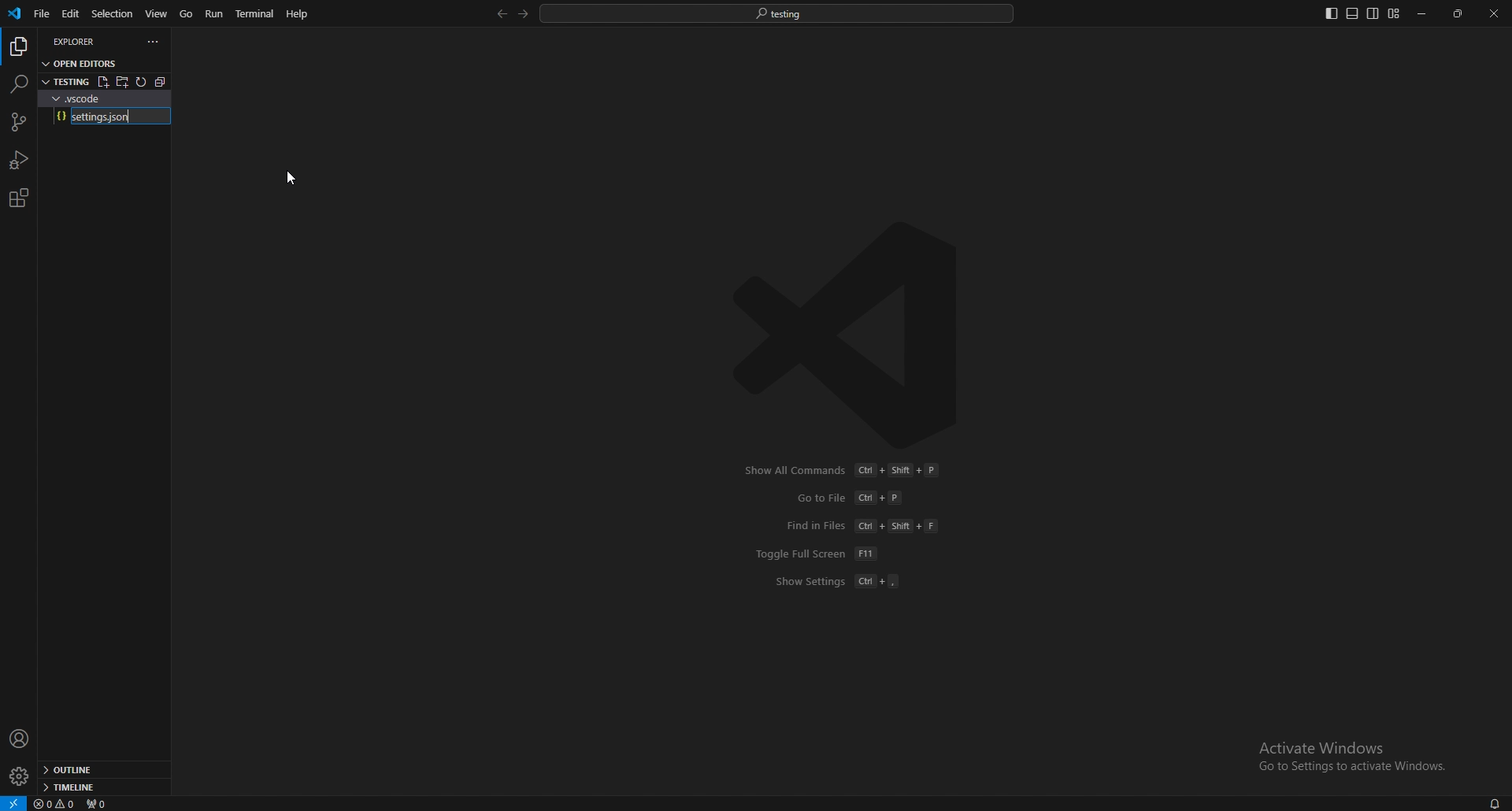 The height and width of the screenshot is (811, 1512). I want to click on file name, so click(109, 117).